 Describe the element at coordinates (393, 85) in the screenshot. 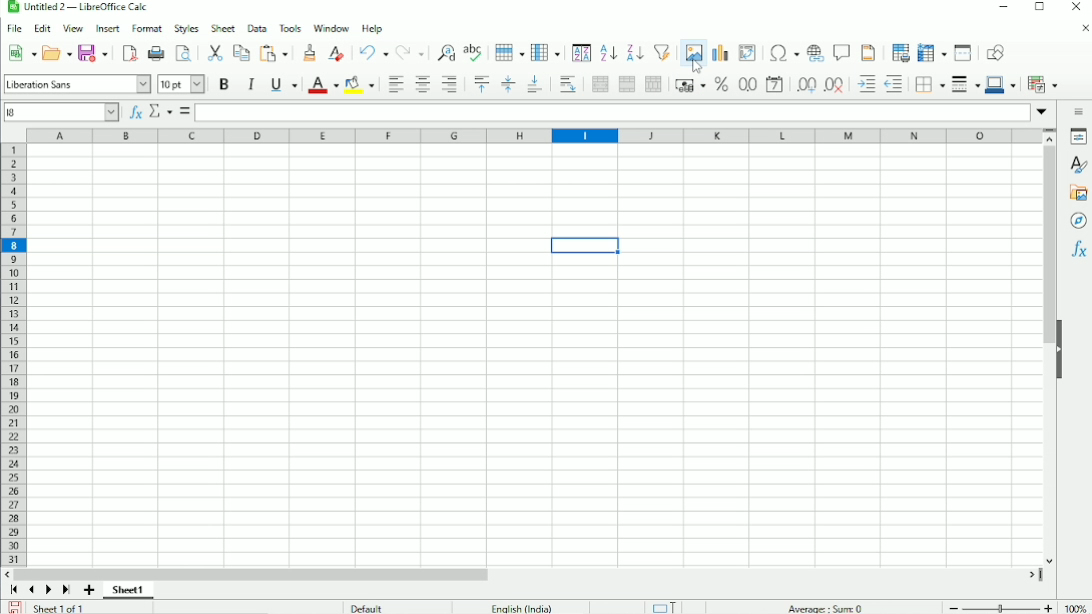

I see `Align left` at that location.